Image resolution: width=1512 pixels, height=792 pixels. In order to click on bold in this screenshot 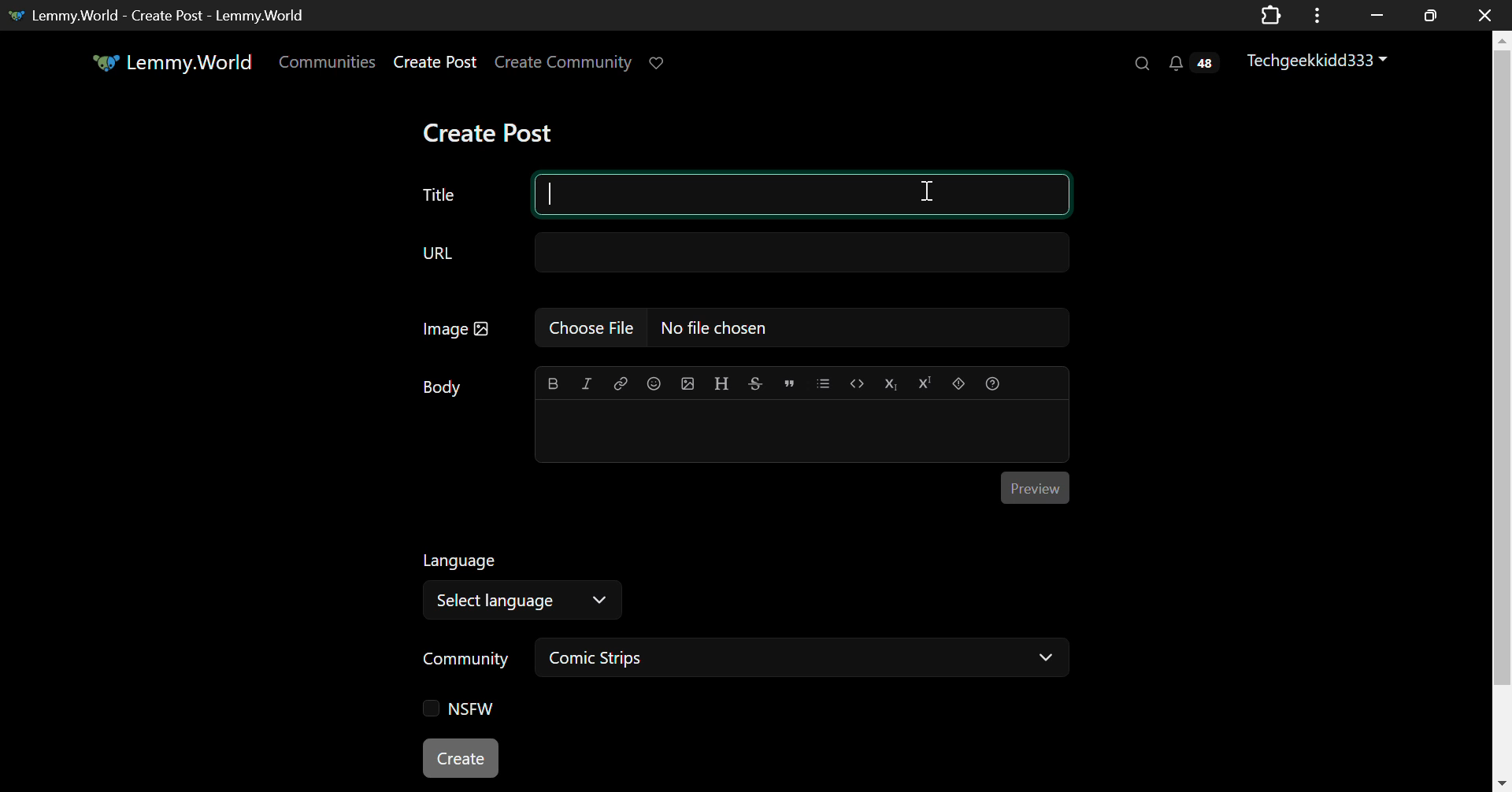, I will do `click(550, 383)`.